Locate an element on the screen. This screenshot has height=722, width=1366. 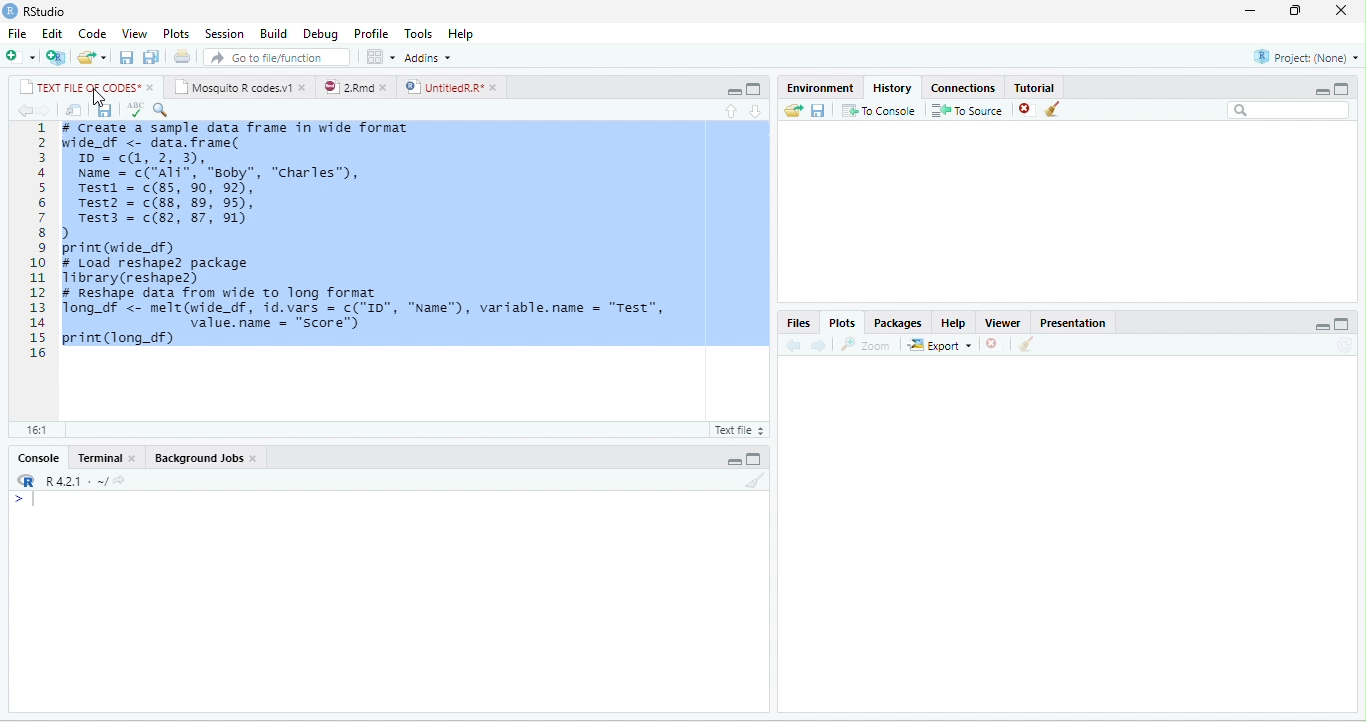
options is located at coordinates (381, 57).